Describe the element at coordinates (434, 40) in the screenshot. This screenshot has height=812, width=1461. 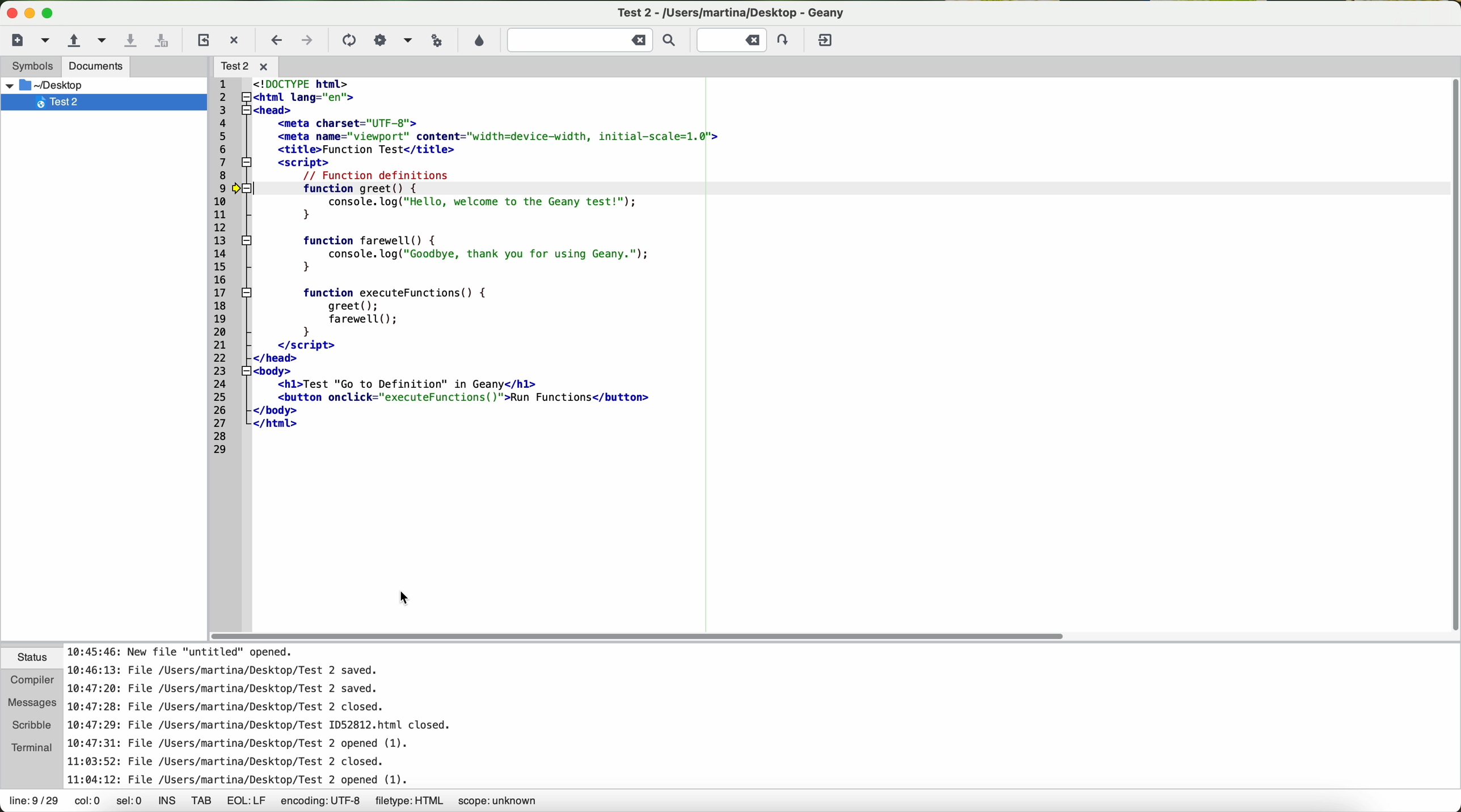
I see `run or view the current file` at that location.